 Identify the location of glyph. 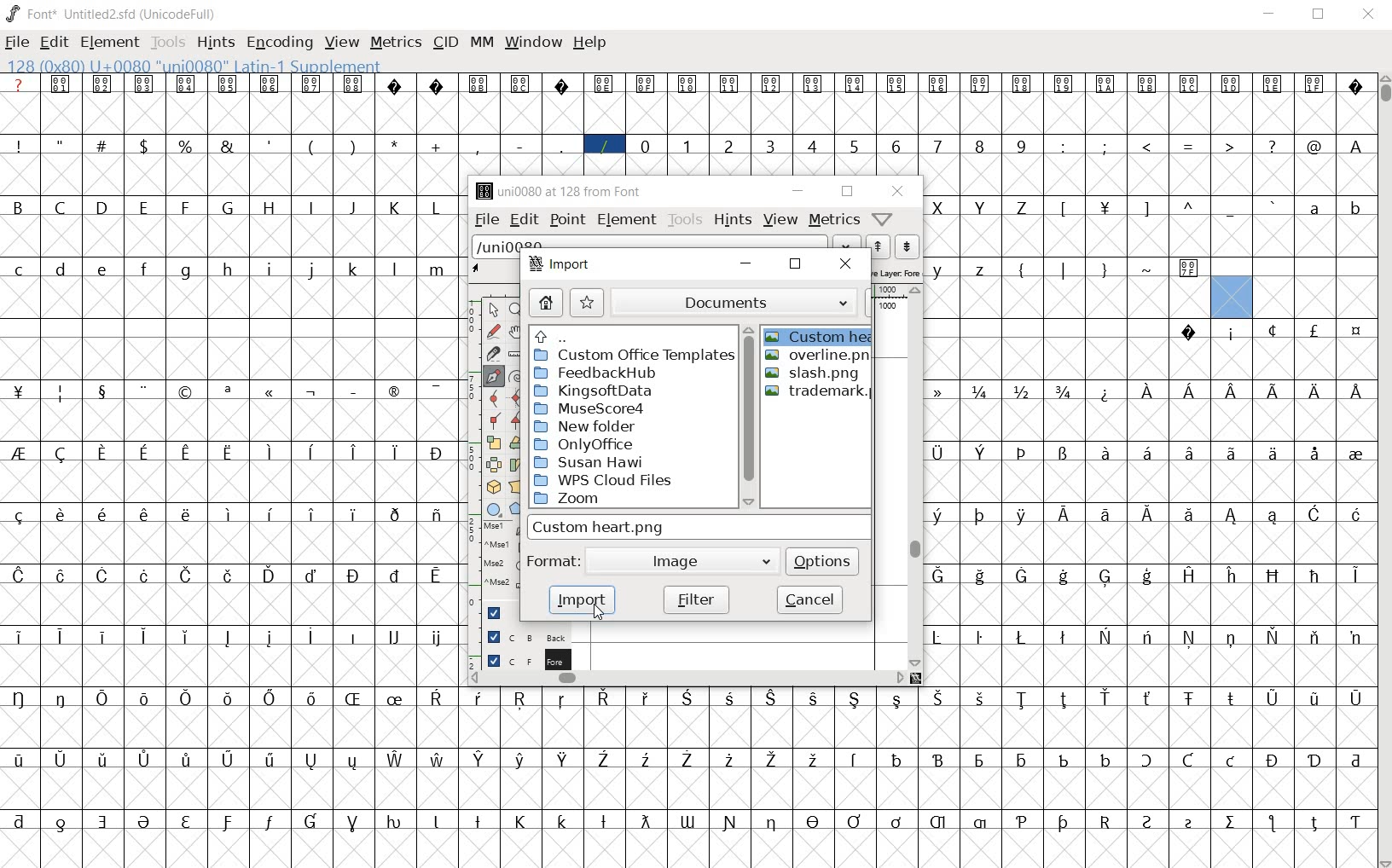
(1231, 822).